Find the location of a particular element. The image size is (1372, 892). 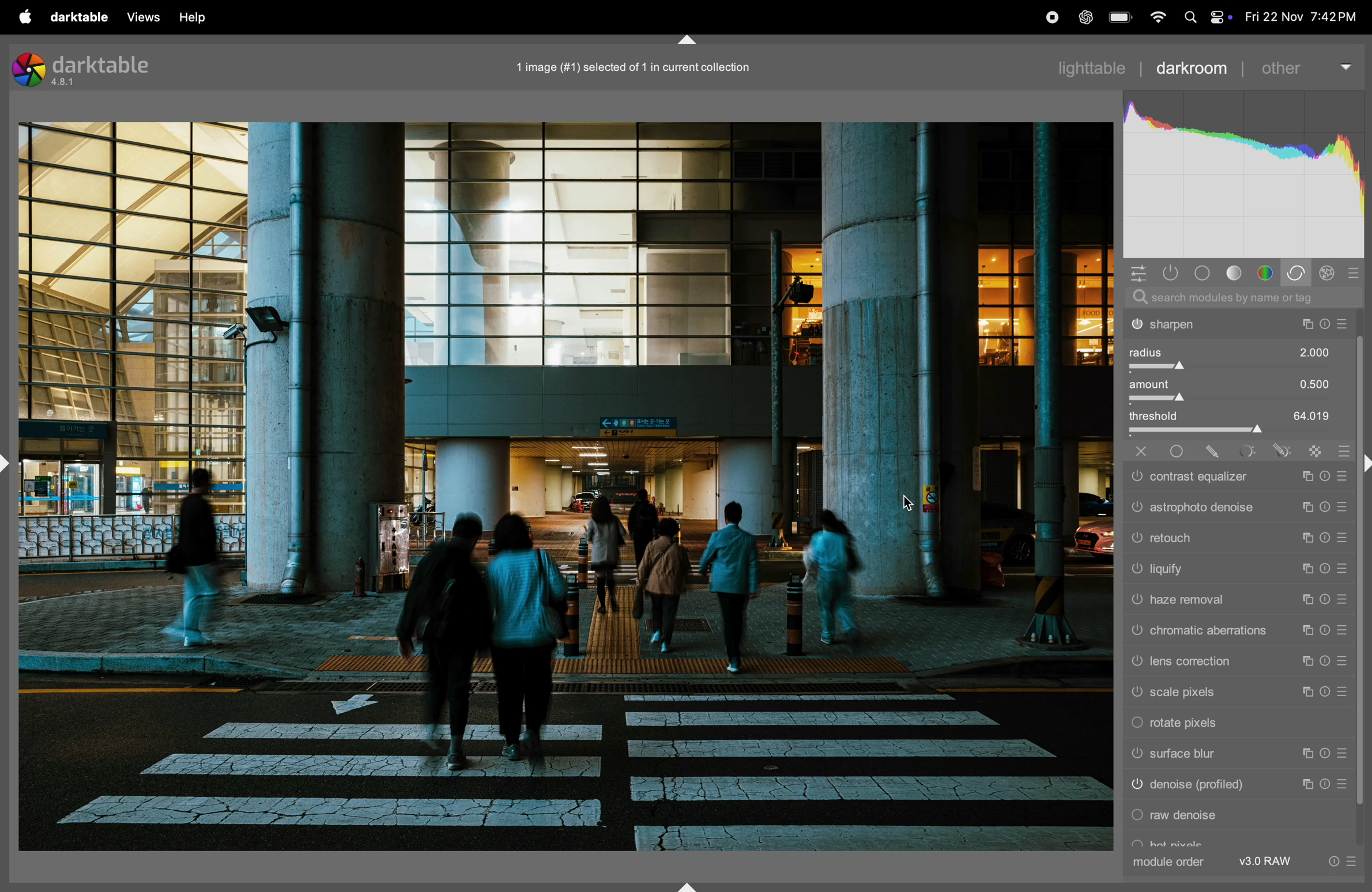

light table is located at coordinates (1099, 66).